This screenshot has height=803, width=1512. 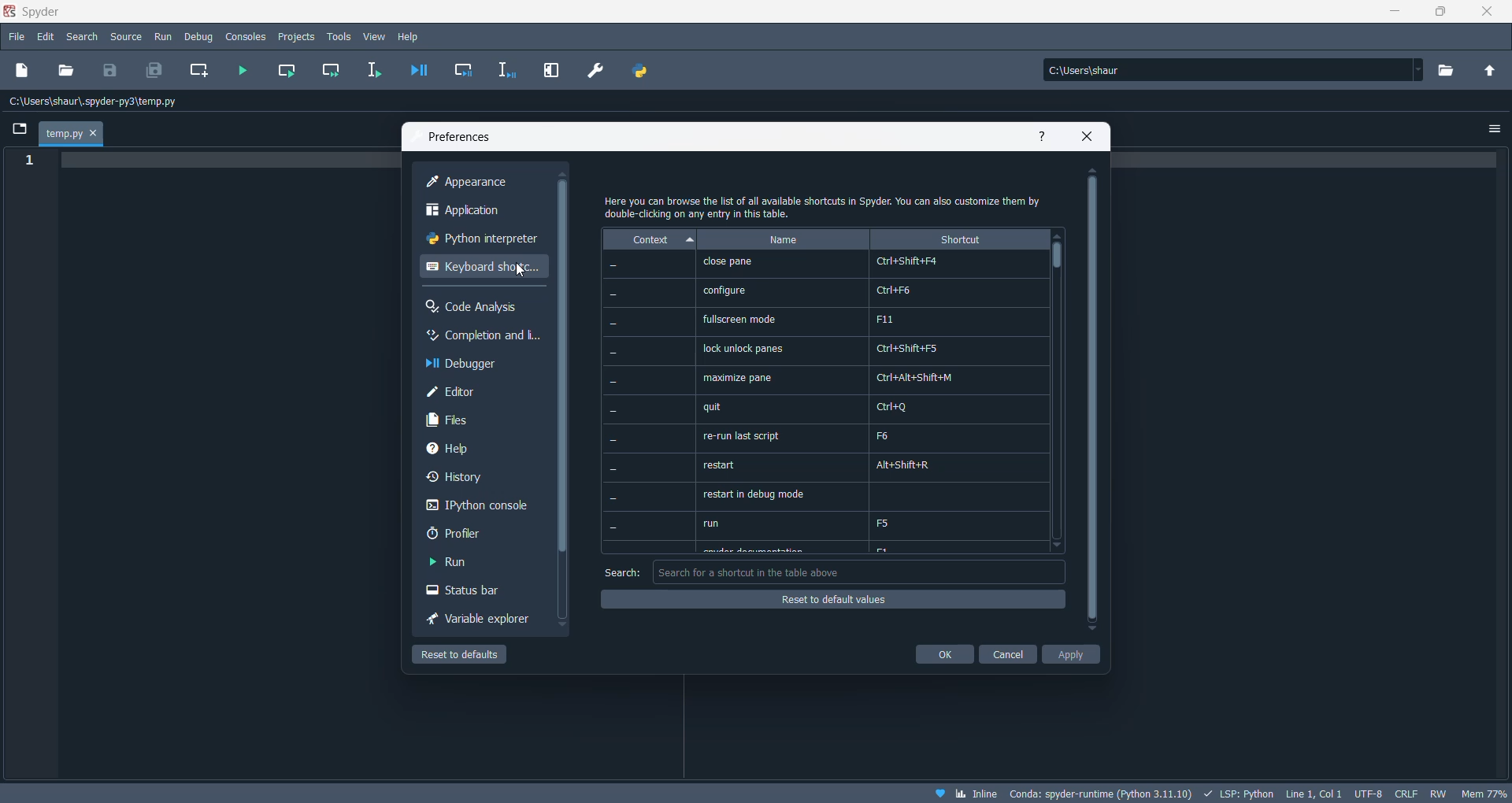 I want to click on path, so click(x=1226, y=69).